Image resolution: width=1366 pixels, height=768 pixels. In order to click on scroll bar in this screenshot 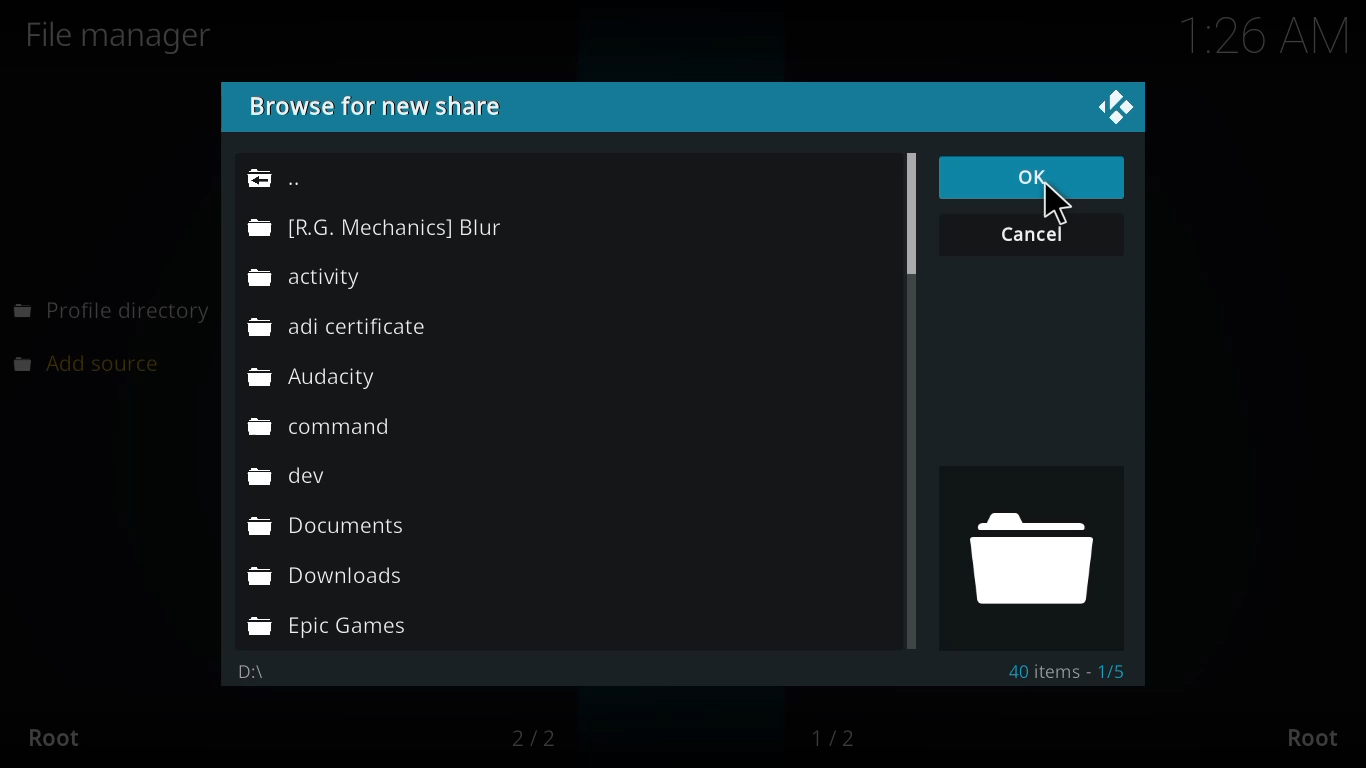, I will do `click(911, 221)`.